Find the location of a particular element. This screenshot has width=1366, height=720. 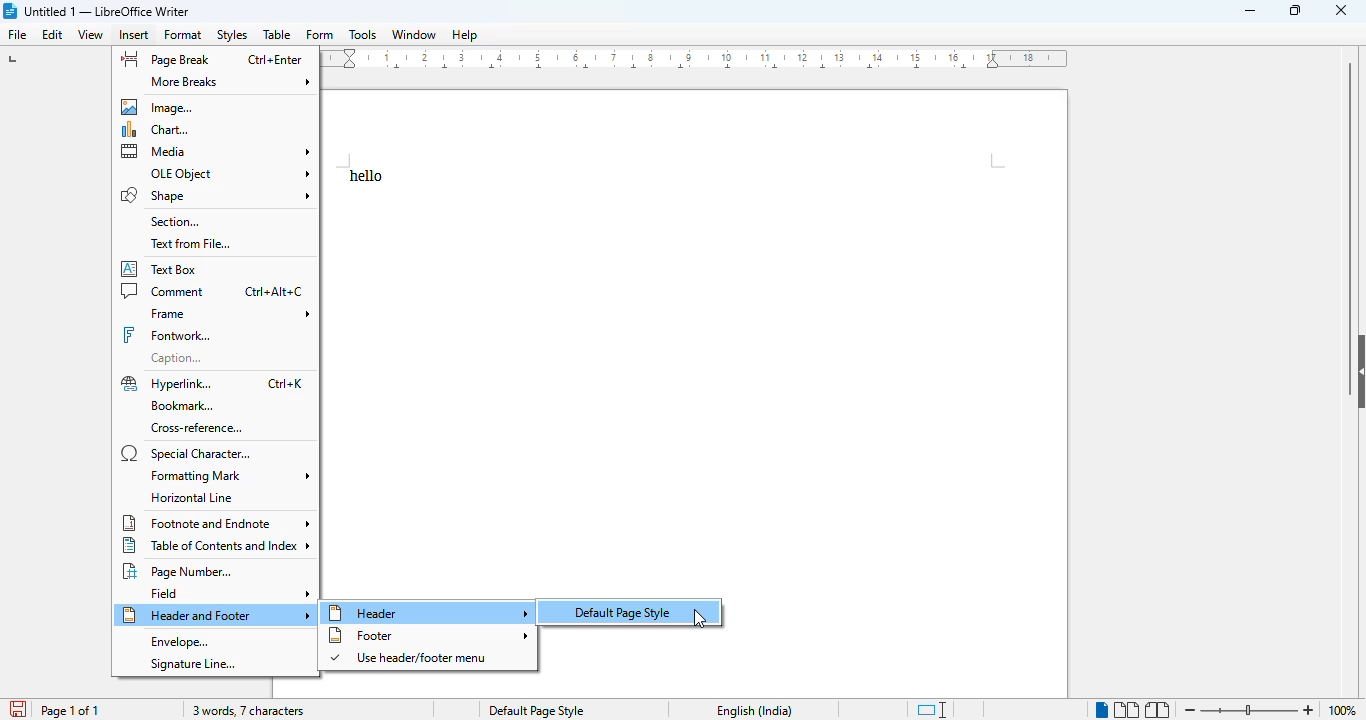

page 1 of 1 is located at coordinates (70, 711).